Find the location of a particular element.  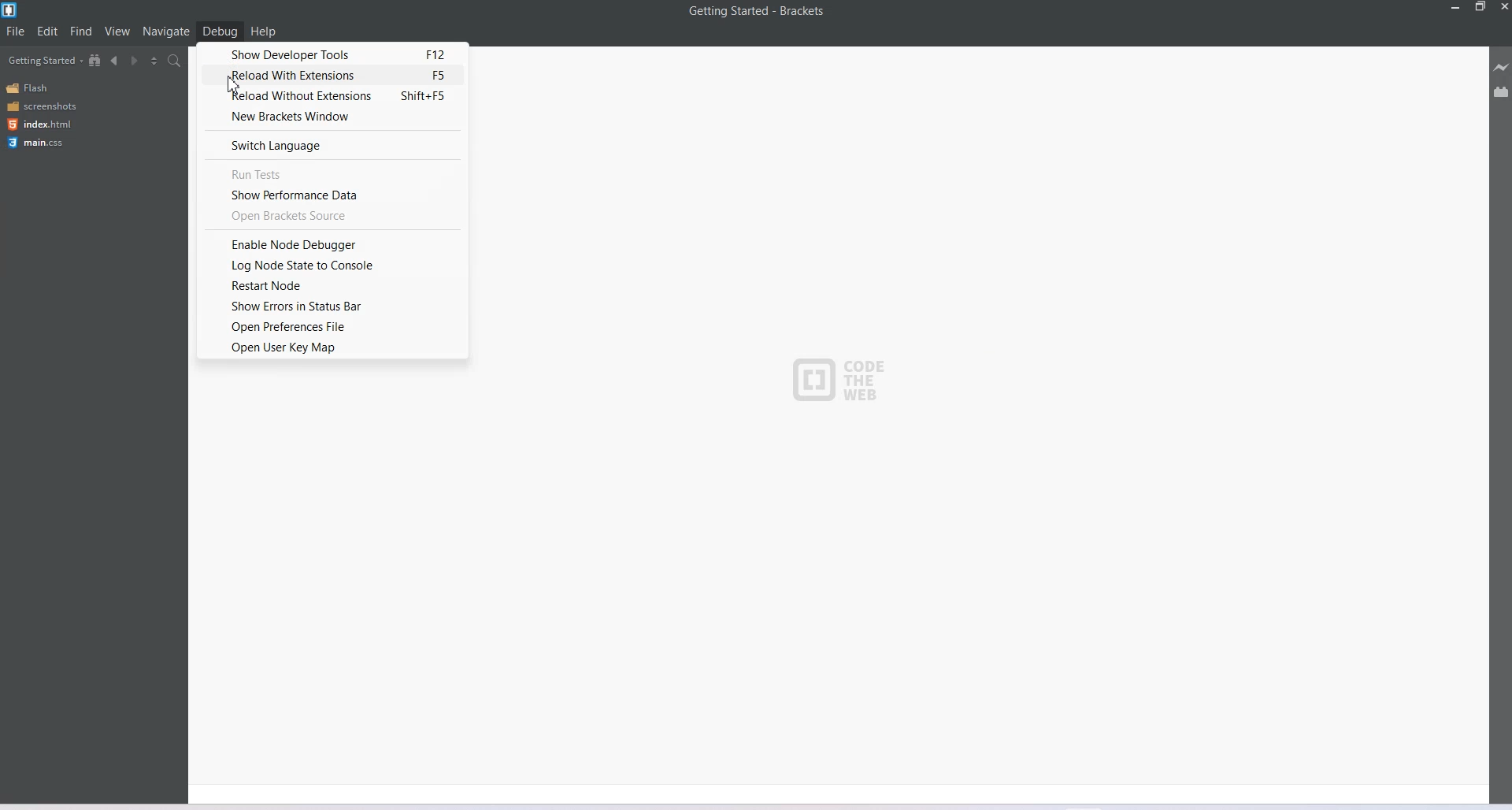

File is located at coordinates (15, 31).